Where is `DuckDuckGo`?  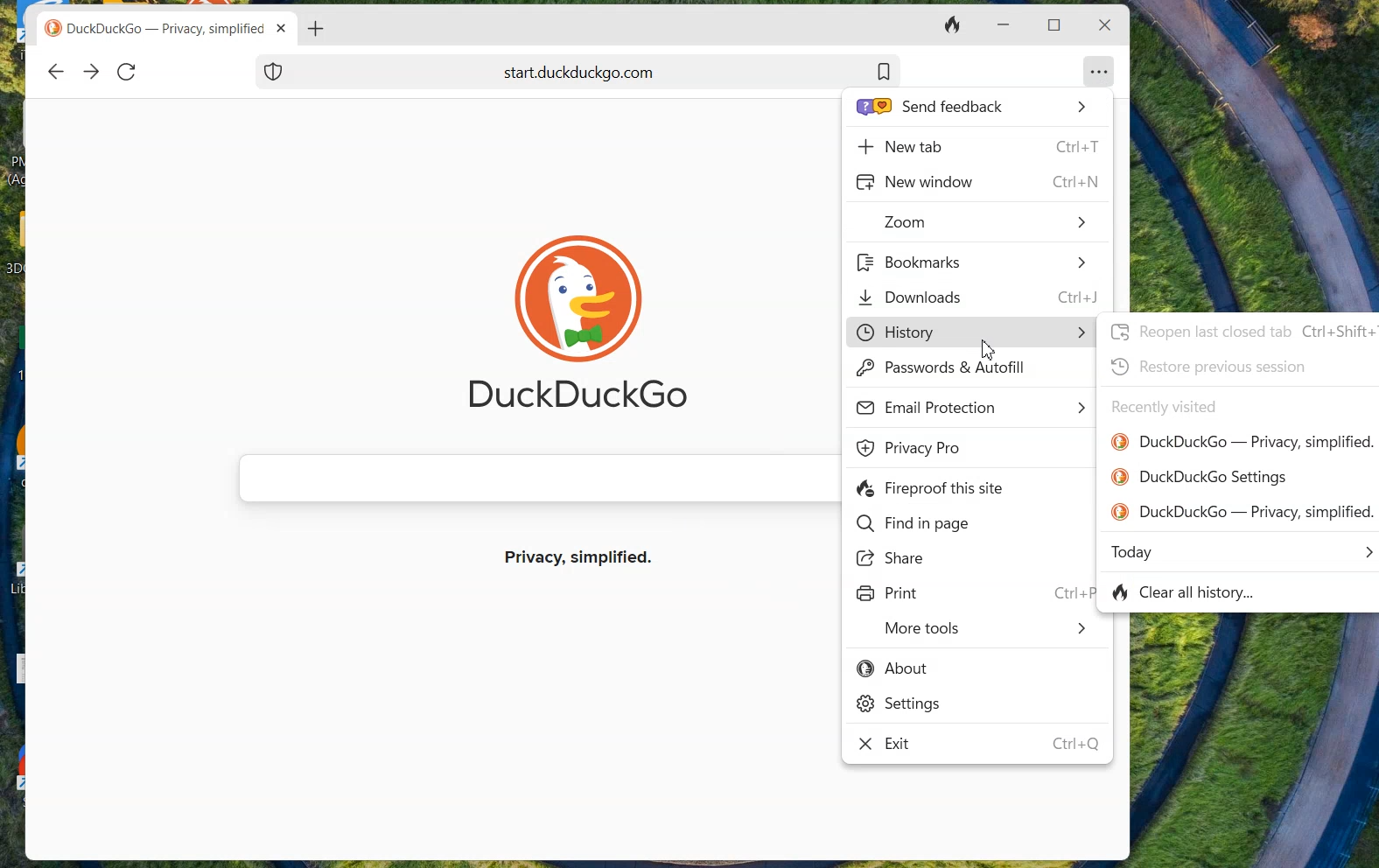 DuckDuckGo is located at coordinates (580, 398).